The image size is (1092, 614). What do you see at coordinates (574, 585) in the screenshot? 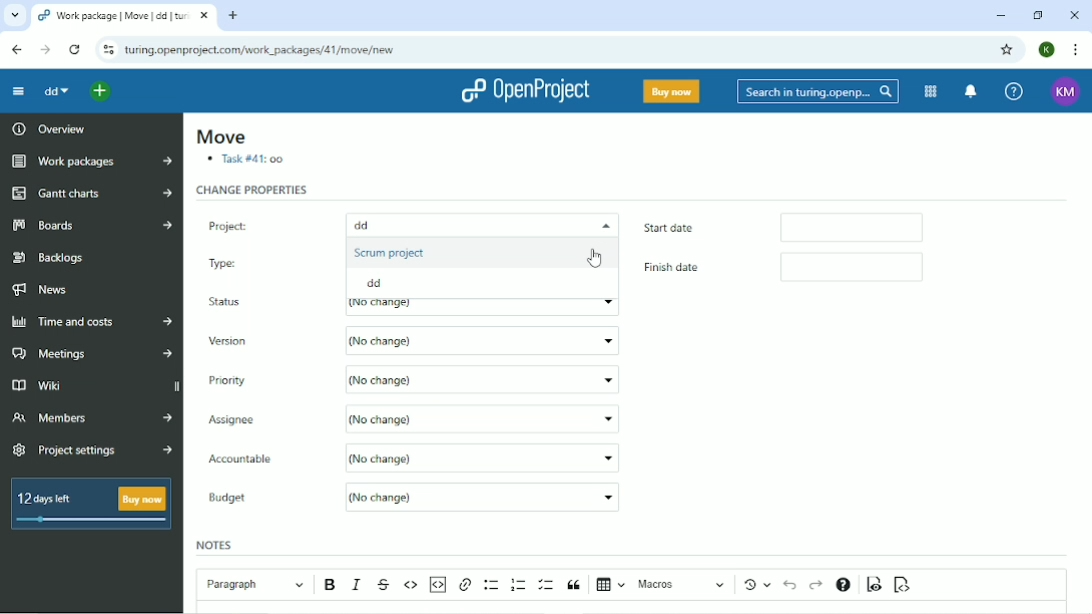
I see `Block quote` at bounding box center [574, 585].